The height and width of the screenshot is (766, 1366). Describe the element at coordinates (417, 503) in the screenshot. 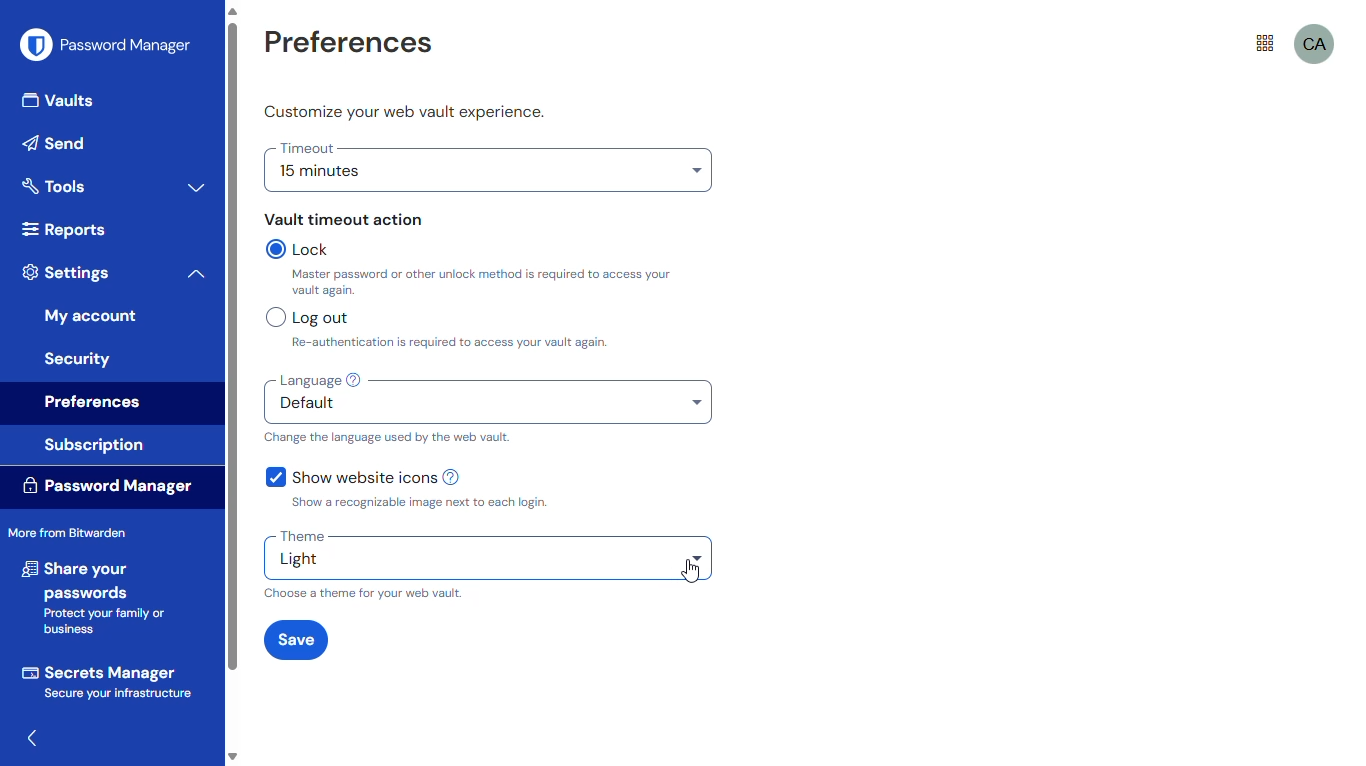

I see `show a recognizable image next to each login.` at that location.